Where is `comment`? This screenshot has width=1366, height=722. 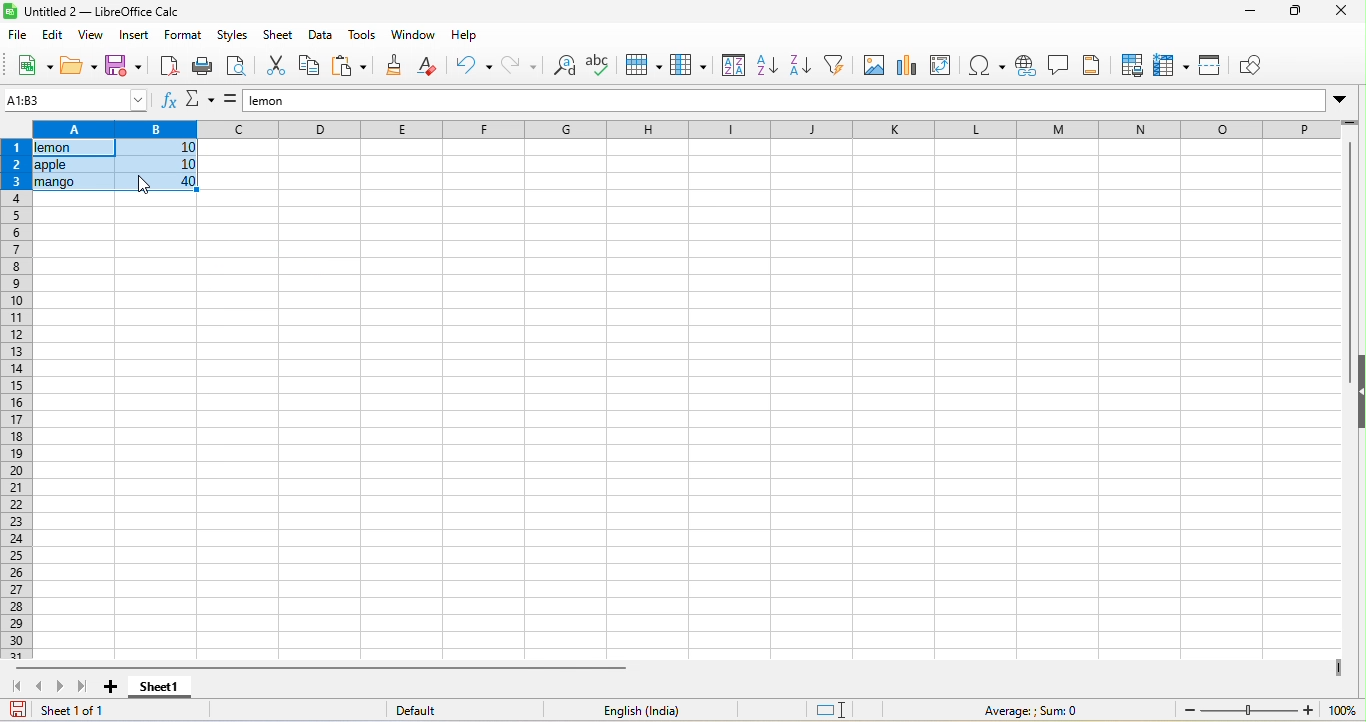
comment is located at coordinates (1057, 67).